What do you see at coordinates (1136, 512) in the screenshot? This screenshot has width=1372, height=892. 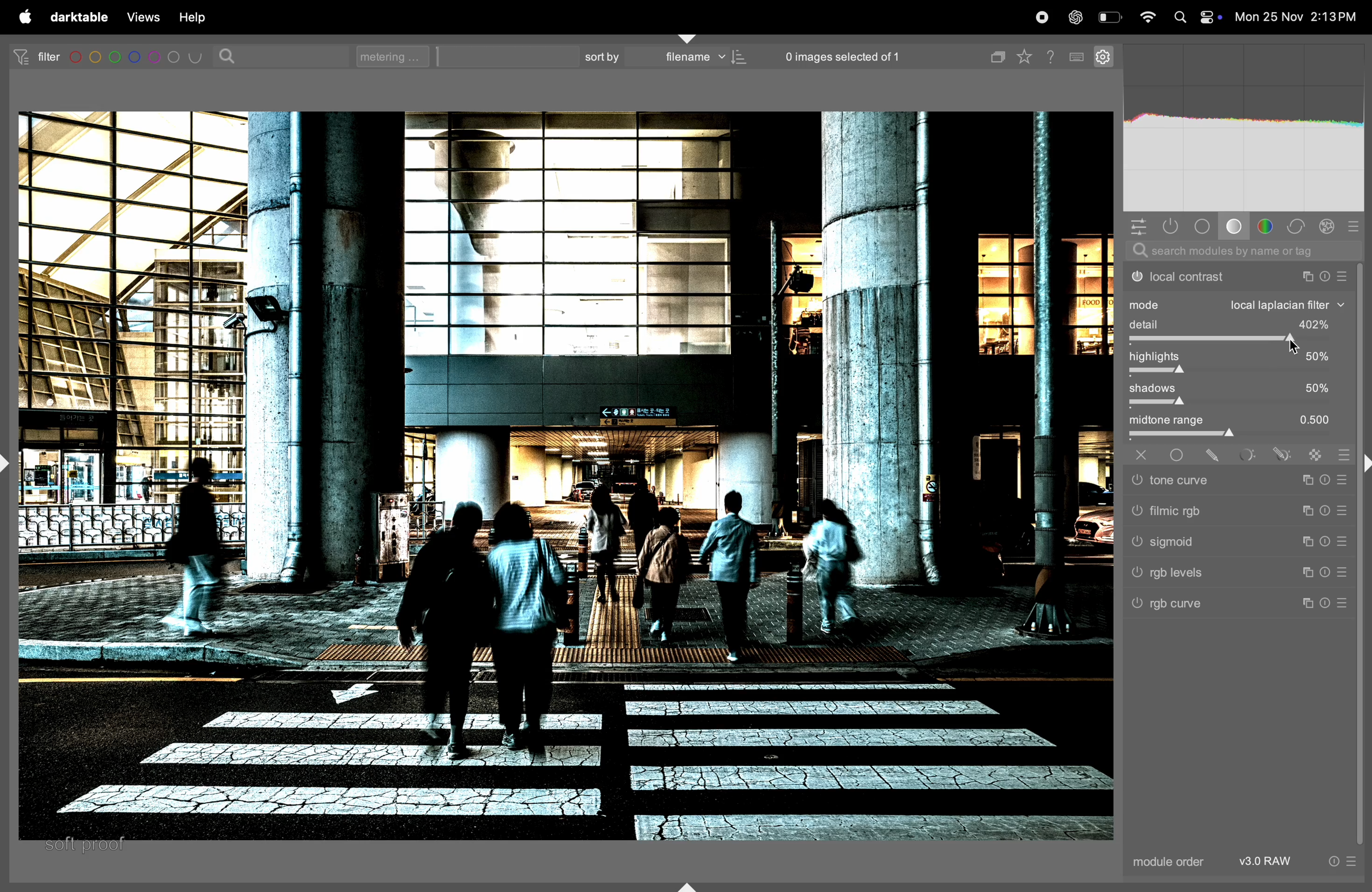 I see `filmic rgb switched off` at bounding box center [1136, 512].